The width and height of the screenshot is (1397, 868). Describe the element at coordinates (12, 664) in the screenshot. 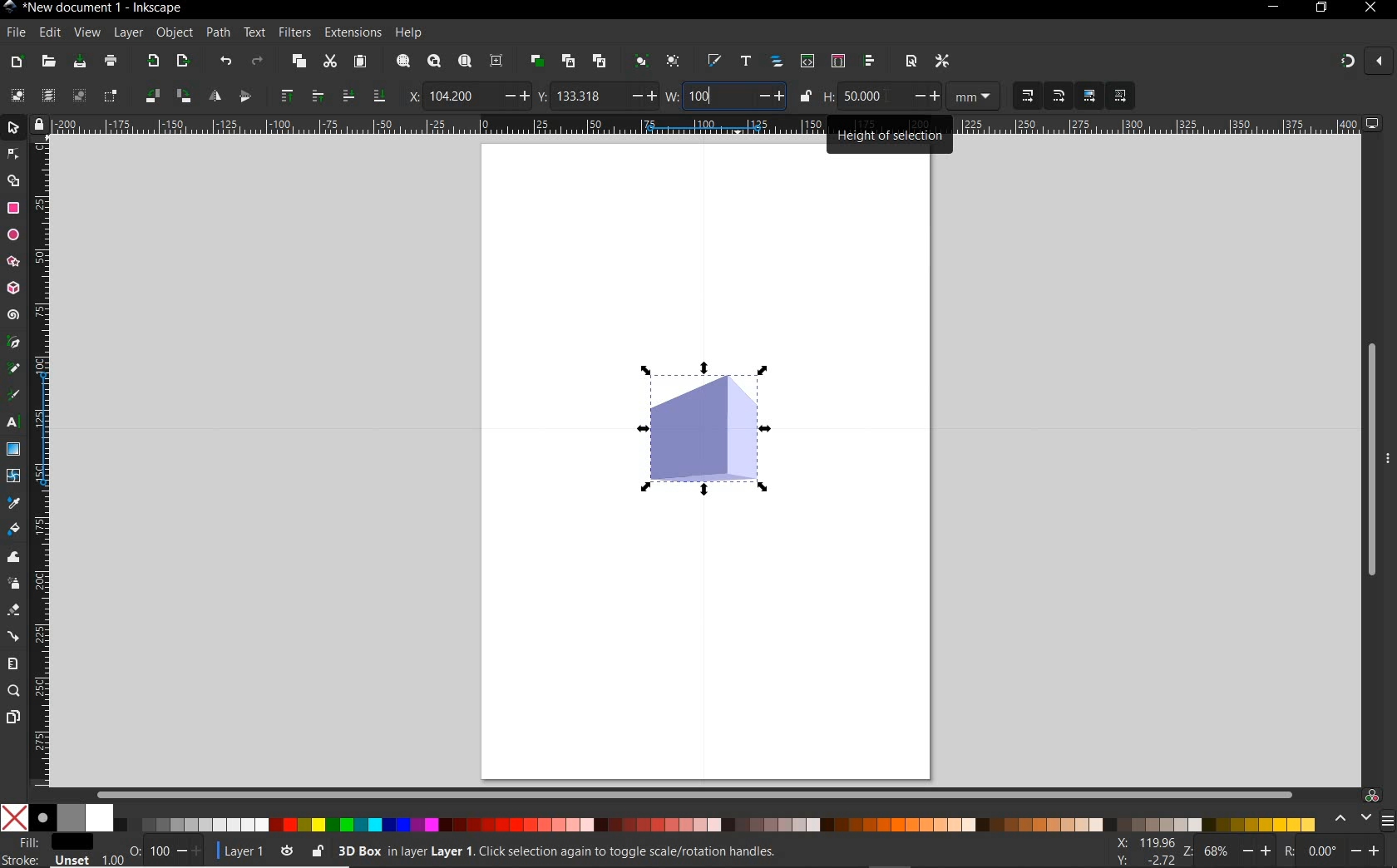

I see `measure tool` at that location.